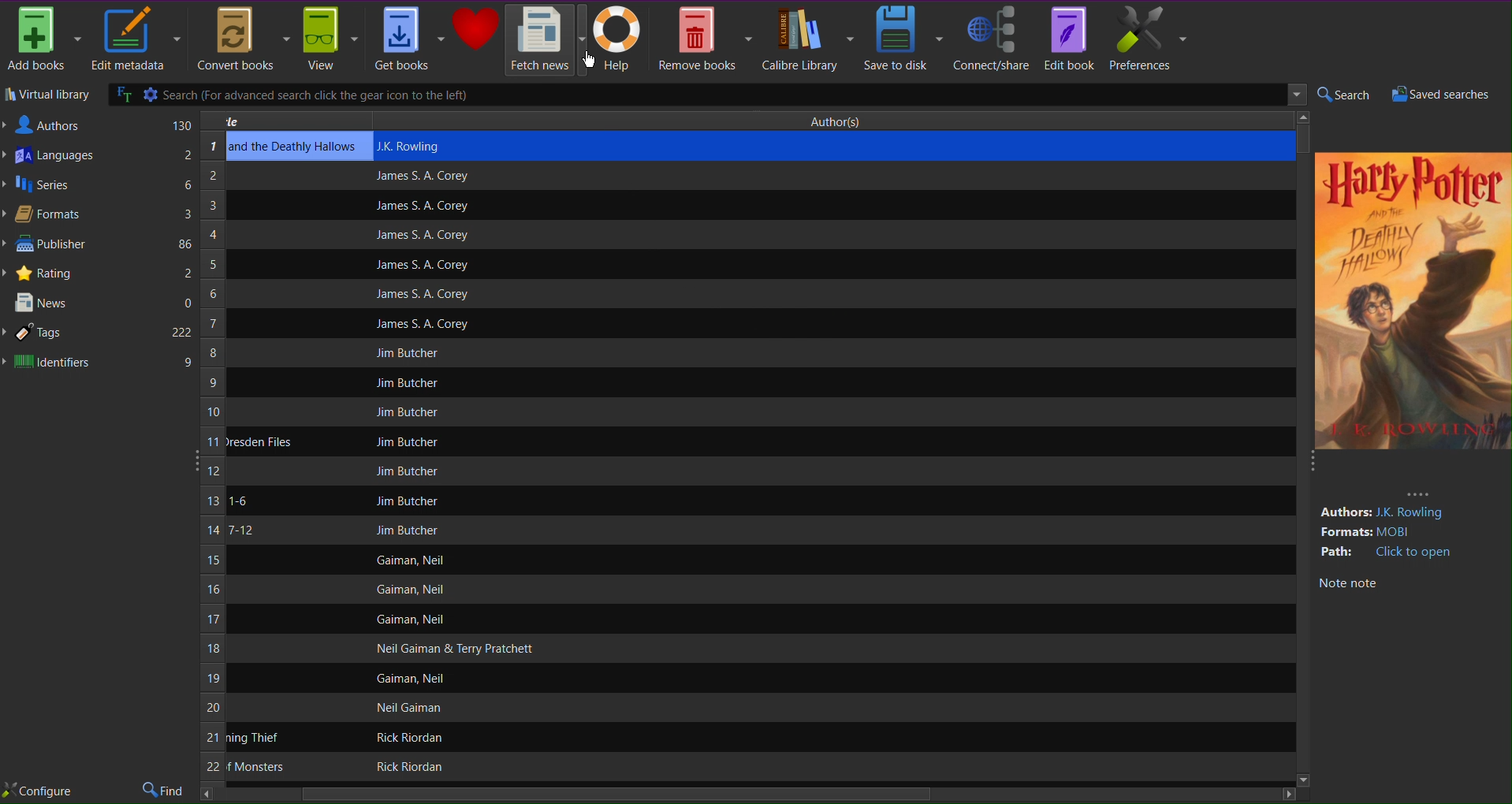 The height and width of the screenshot is (804, 1512). What do you see at coordinates (99, 186) in the screenshot?
I see `Series` at bounding box center [99, 186].